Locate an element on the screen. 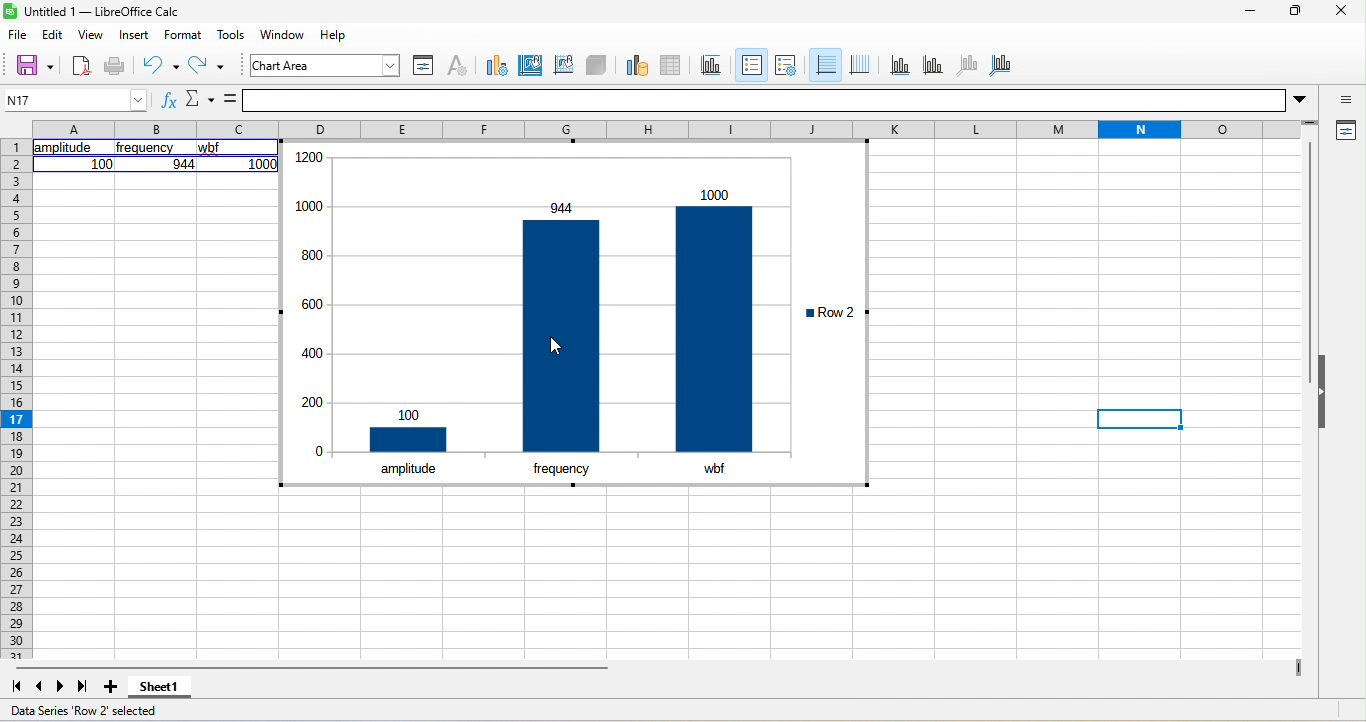 The width and height of the screenshot is (1366, 722). frequency is located at coordinates (560, 466).